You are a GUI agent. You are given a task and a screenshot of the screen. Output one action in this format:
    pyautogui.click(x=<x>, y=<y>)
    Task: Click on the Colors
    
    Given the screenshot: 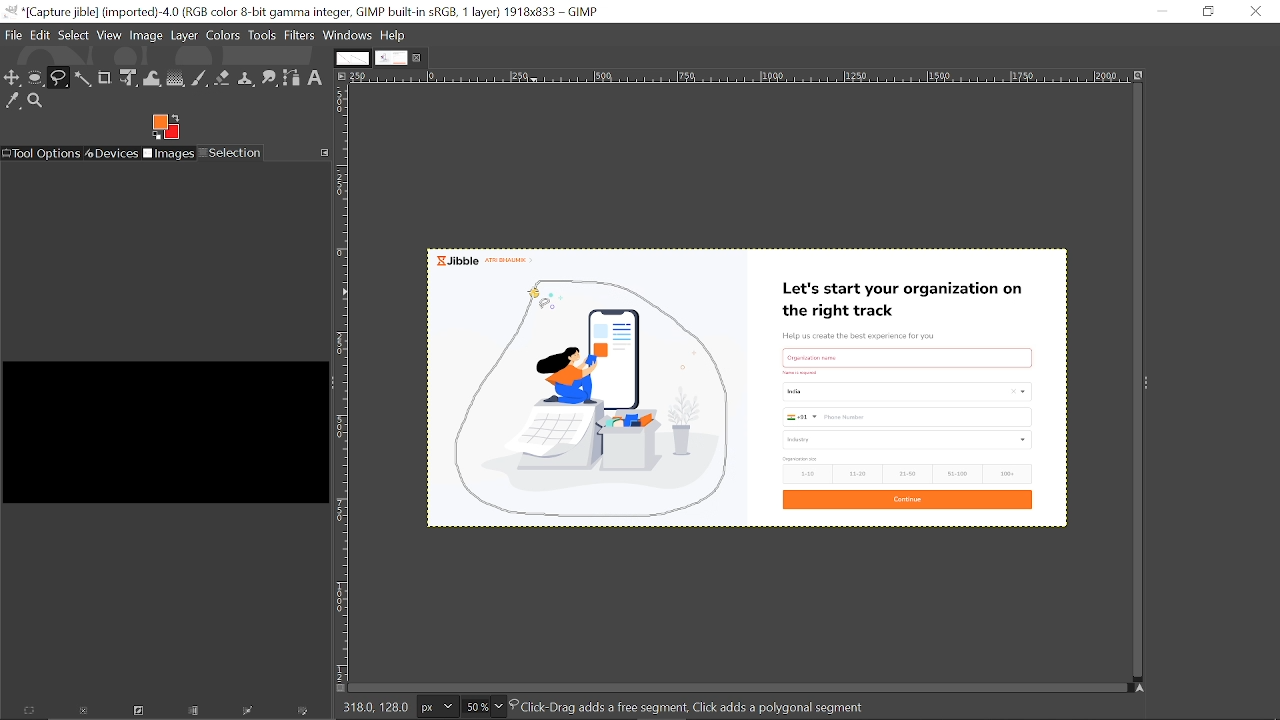 What is the action you would take?
    pyautogui.click(x=224, y=35)
    